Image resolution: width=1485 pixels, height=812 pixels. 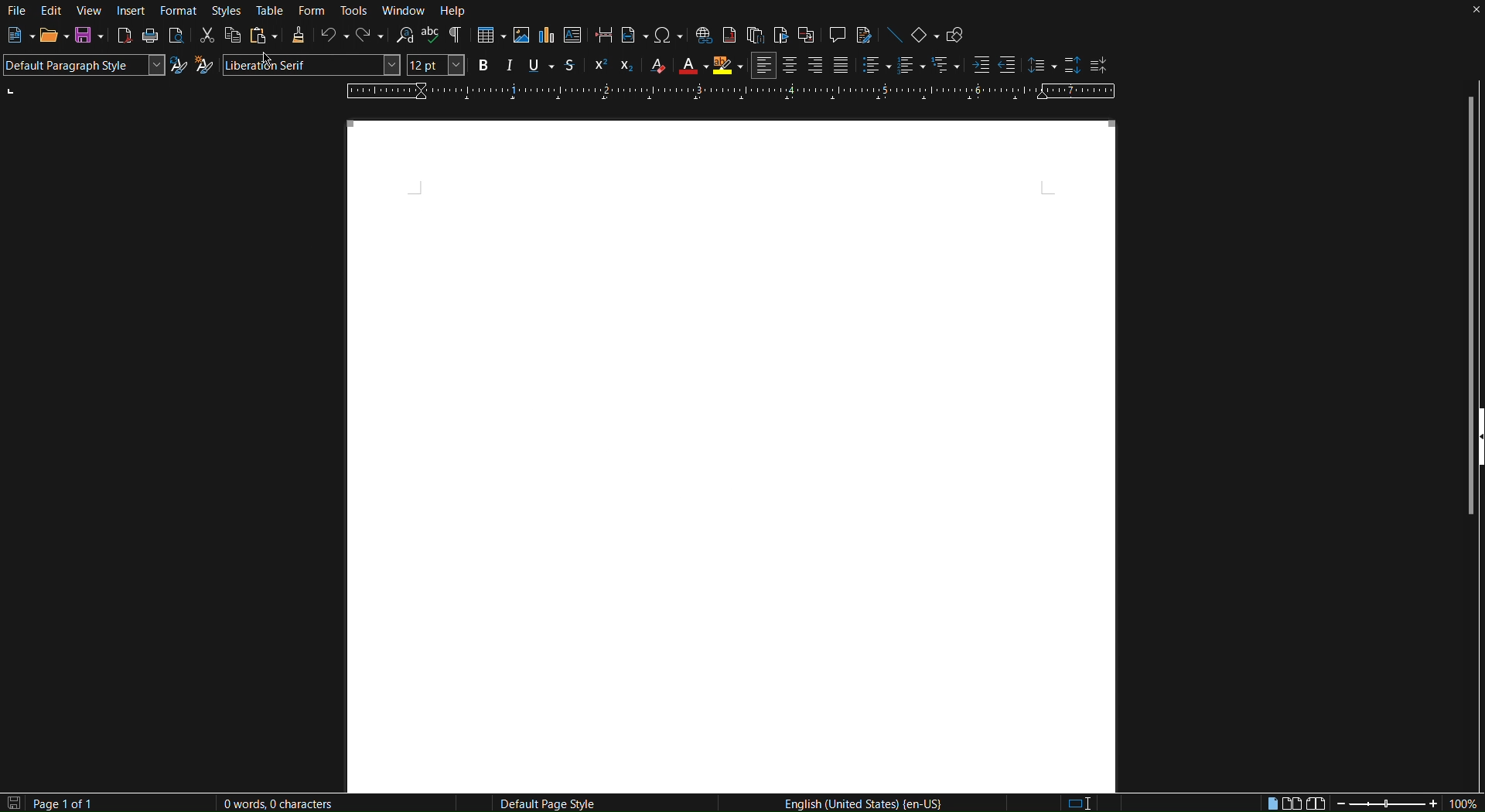 What do you see at coordinates (780, 37) in the screenshot?
I see `Insert Bookmark` at bounding box center [780, 37].